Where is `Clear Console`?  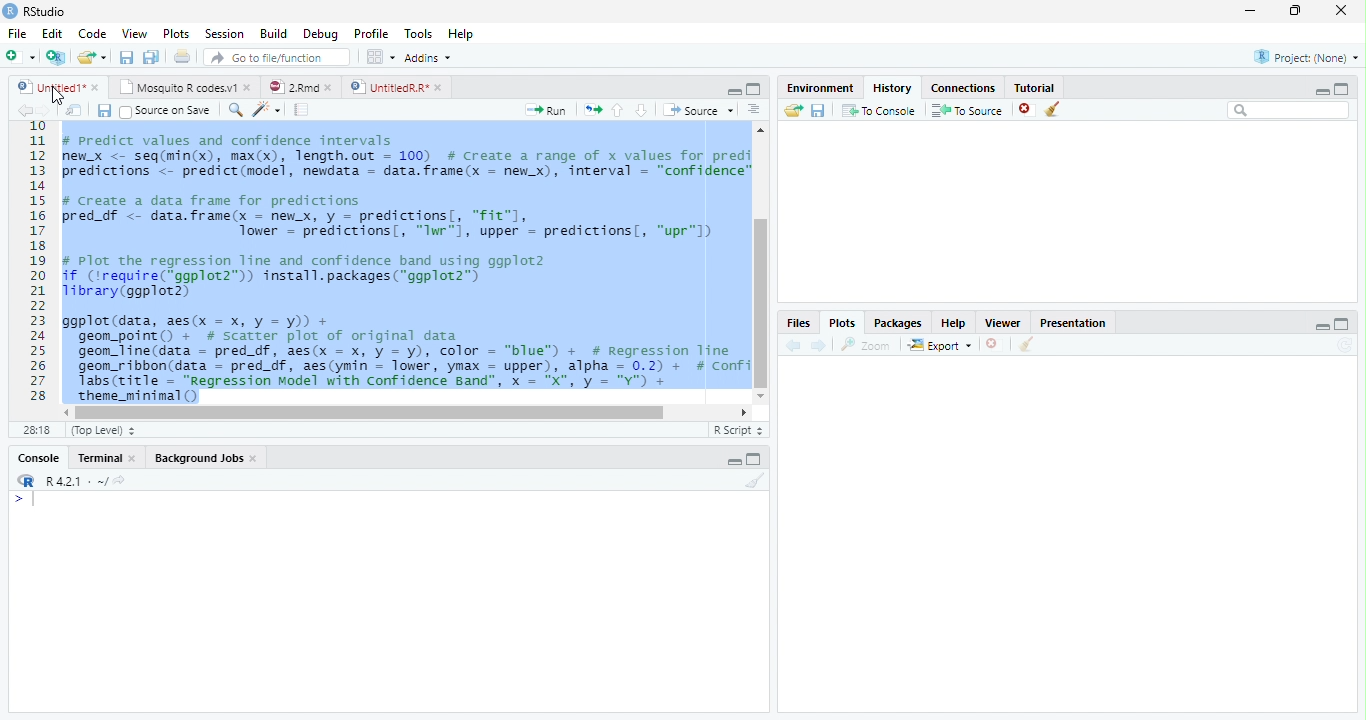 Clear Console is located at coordinates (1053, 109).